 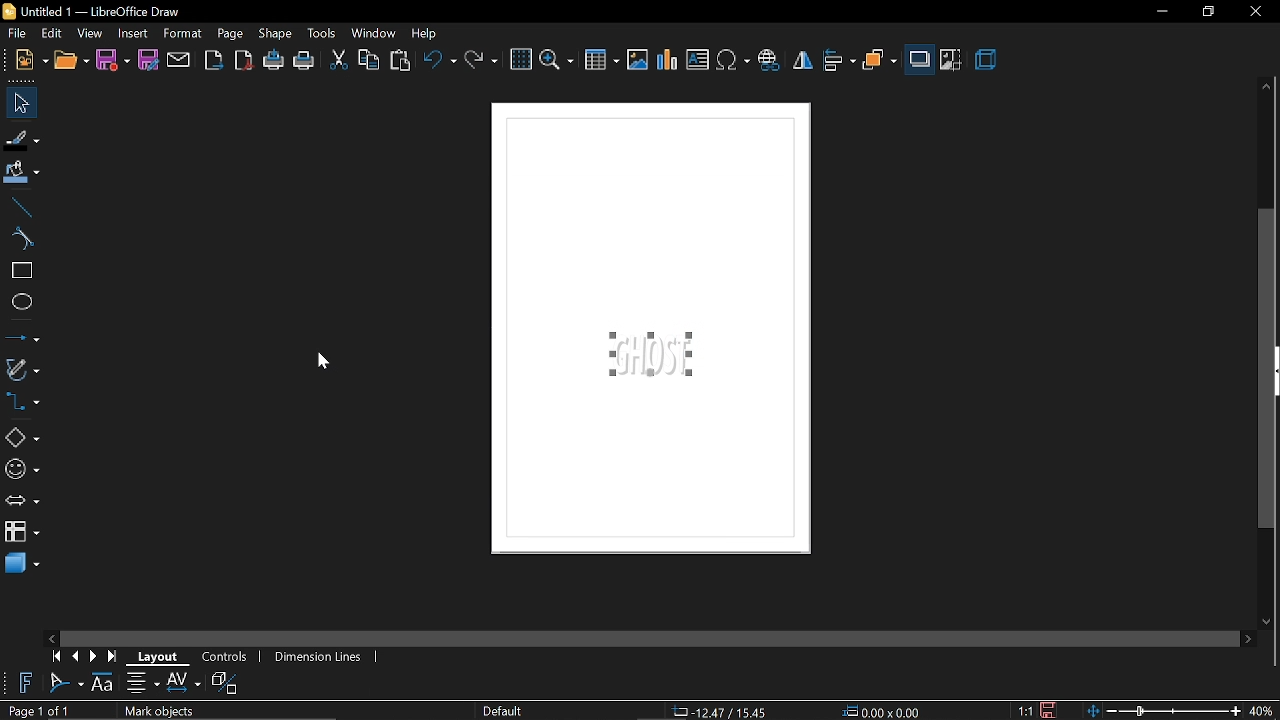 What do you see at coordinates (886, 712) in the screenshot?
I see `0.00x0.00` at bounding box center [886, 712].